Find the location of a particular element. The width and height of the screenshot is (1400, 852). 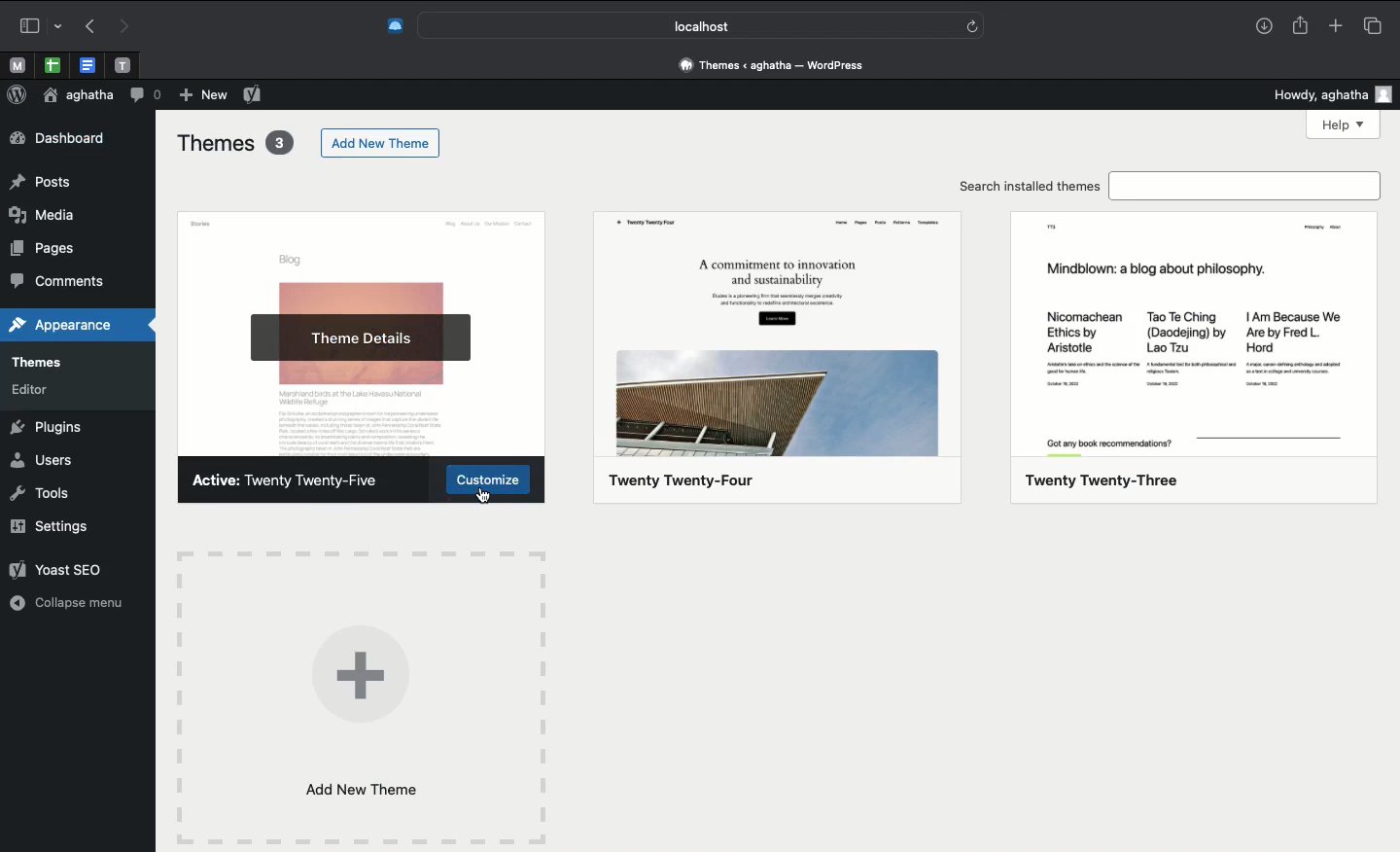

Help is located at coordinates (1347, 126).